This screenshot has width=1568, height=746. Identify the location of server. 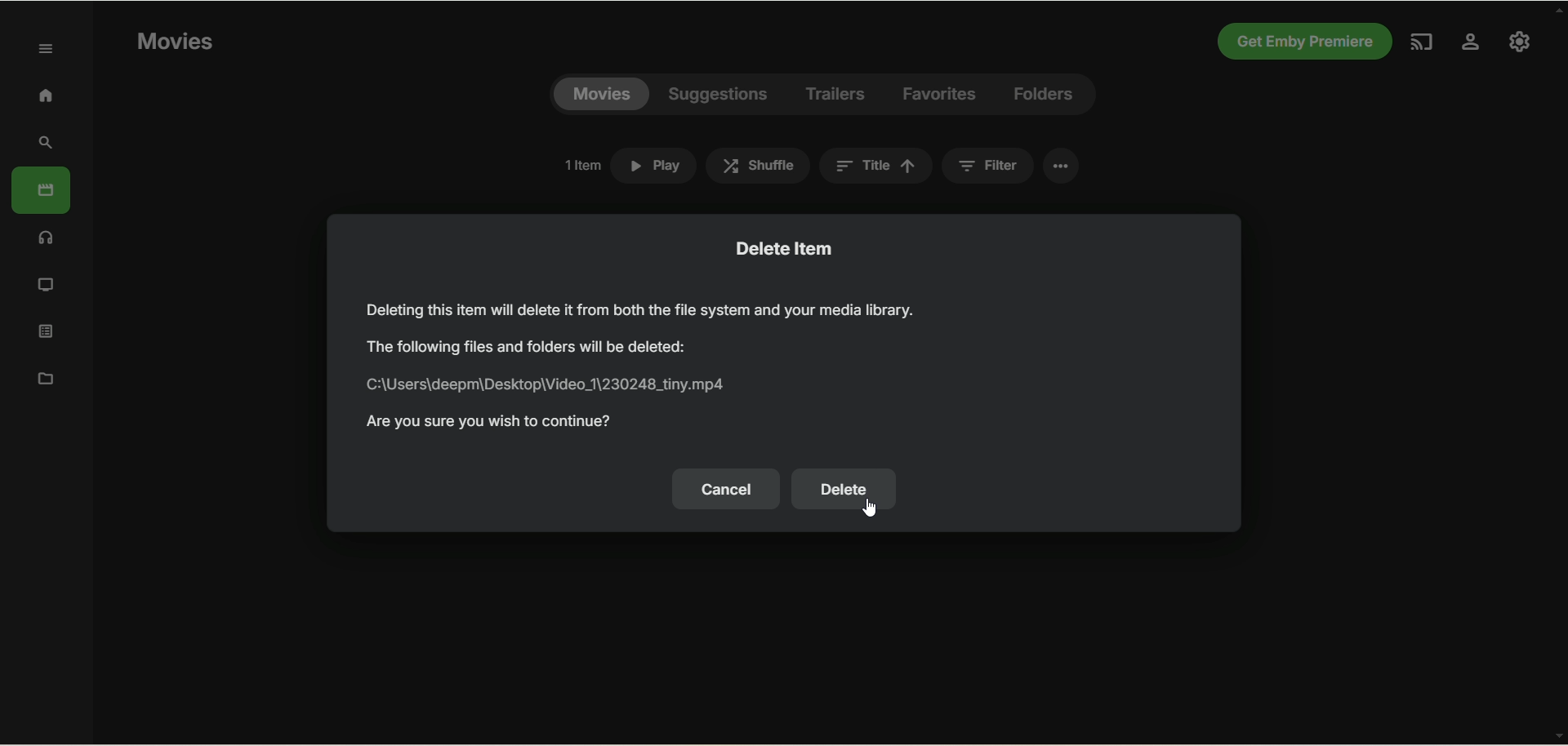
(1471, 44).